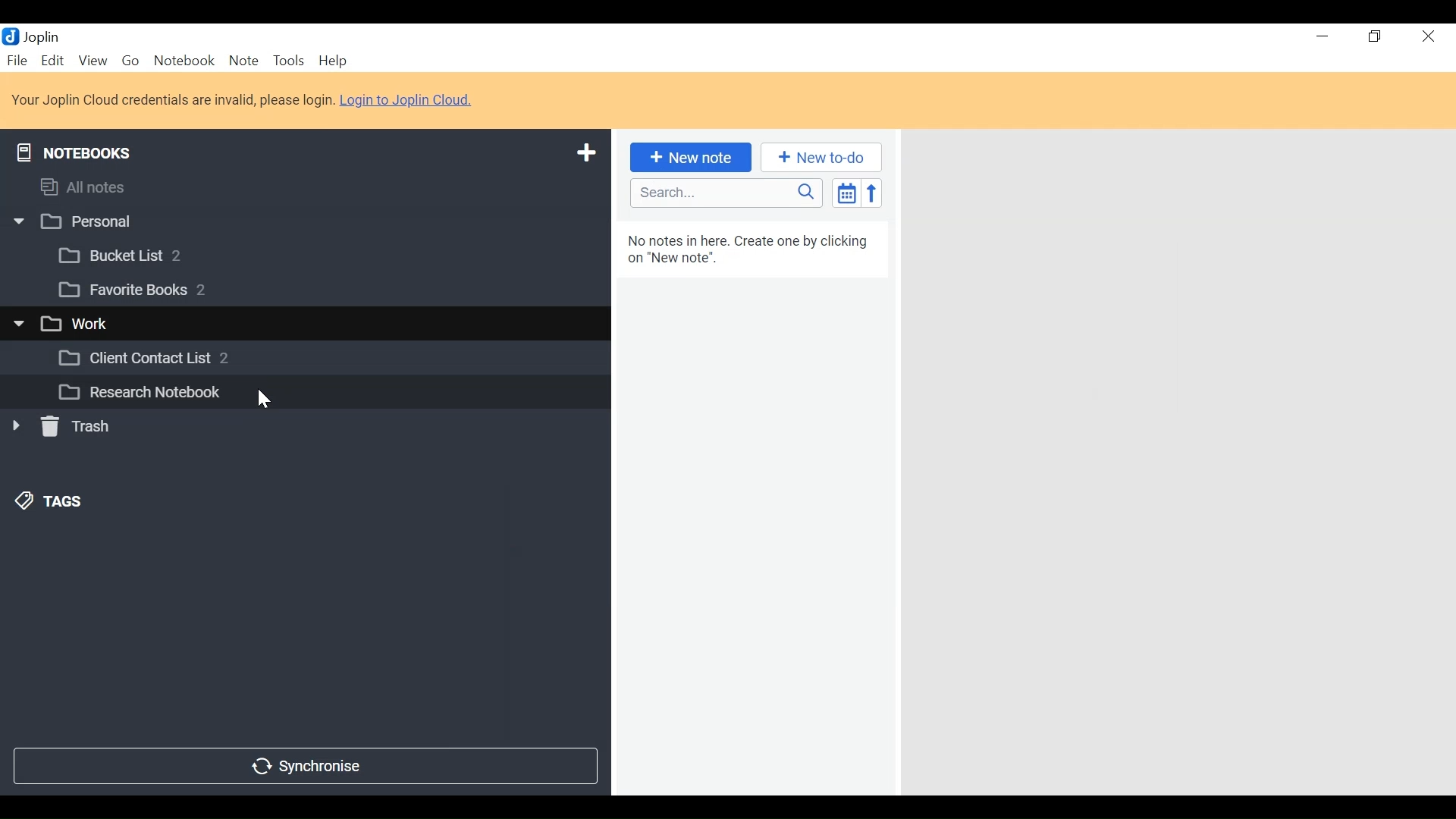 The width and height of the screenshot is (1456, 819). What do you see at coordinates (845, 192) in the screenshot?
I see `Toggle sort order field` at bounding box center [845, 192].